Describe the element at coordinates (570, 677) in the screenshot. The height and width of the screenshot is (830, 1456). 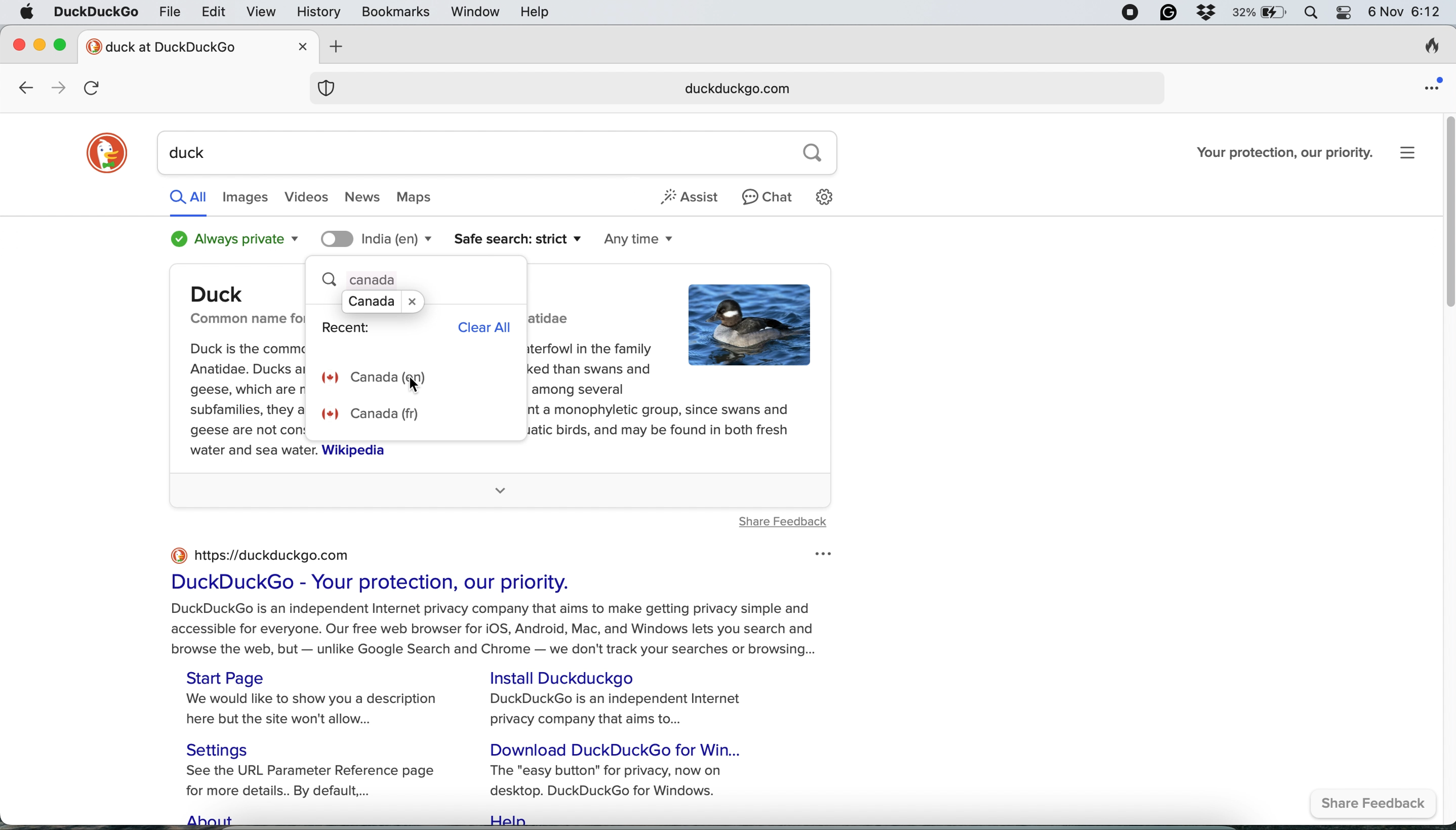
I see `Install Duckduckgo` at that location.